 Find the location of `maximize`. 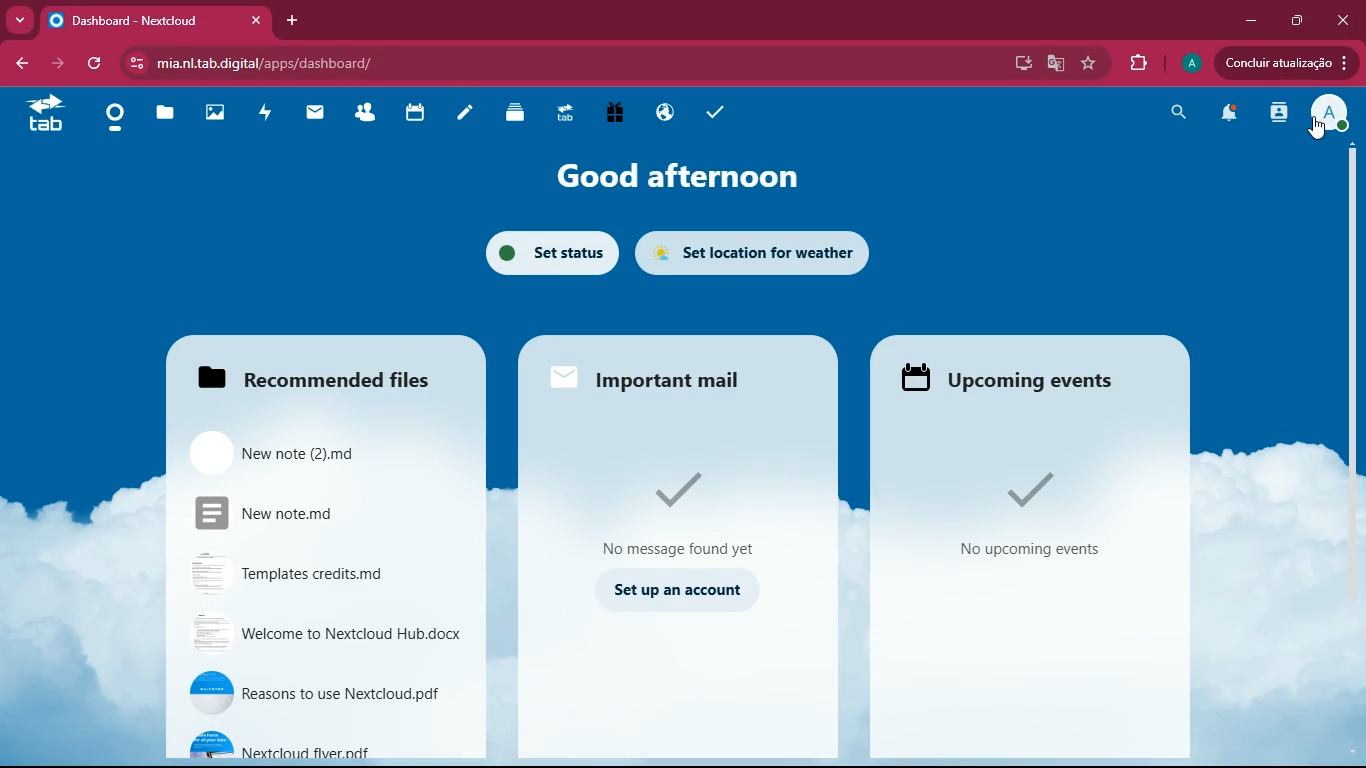

maximize is located at coordinates (1295, 21).